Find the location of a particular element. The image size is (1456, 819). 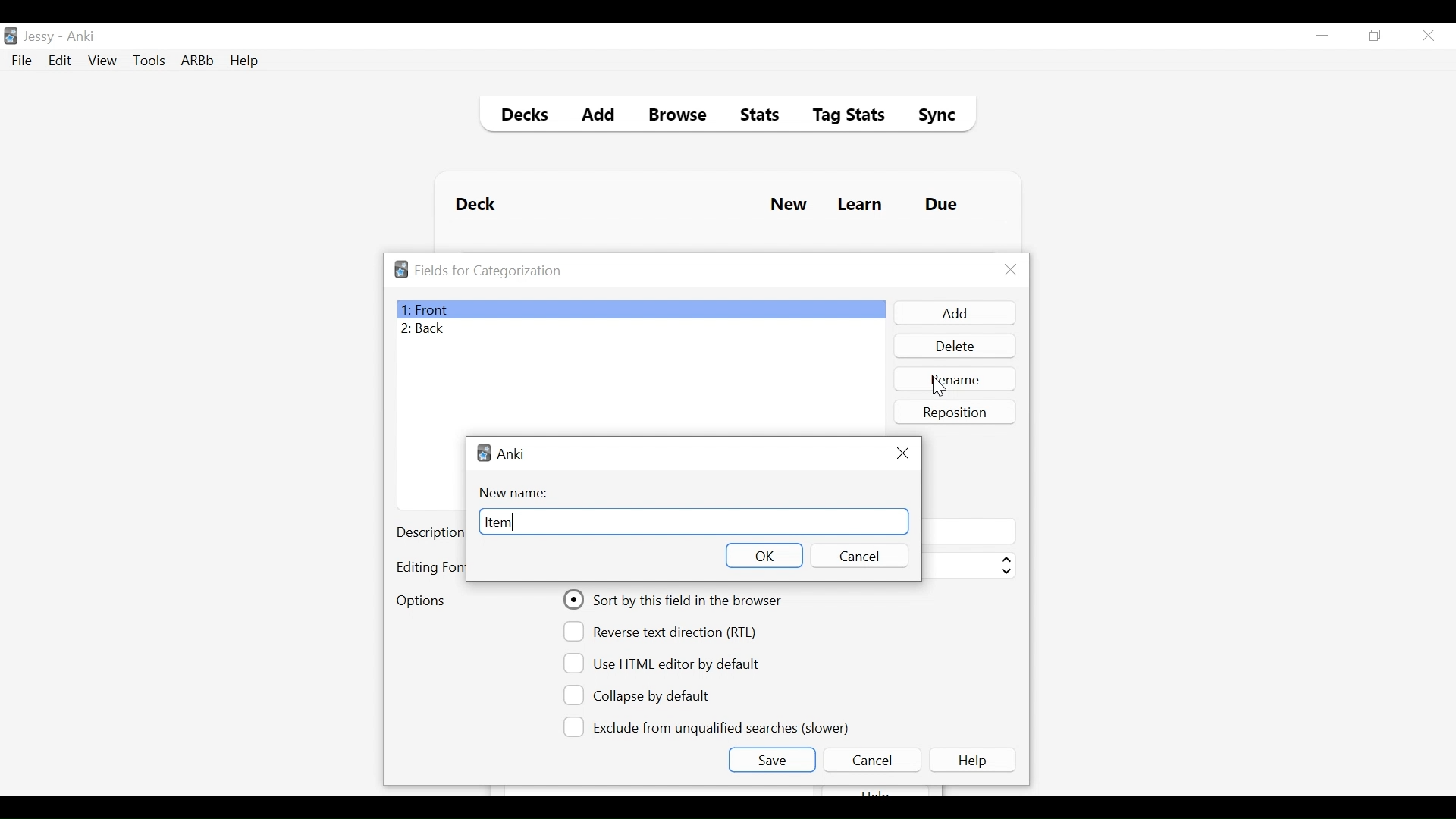

Cancel is located at coordinates (857, 556).